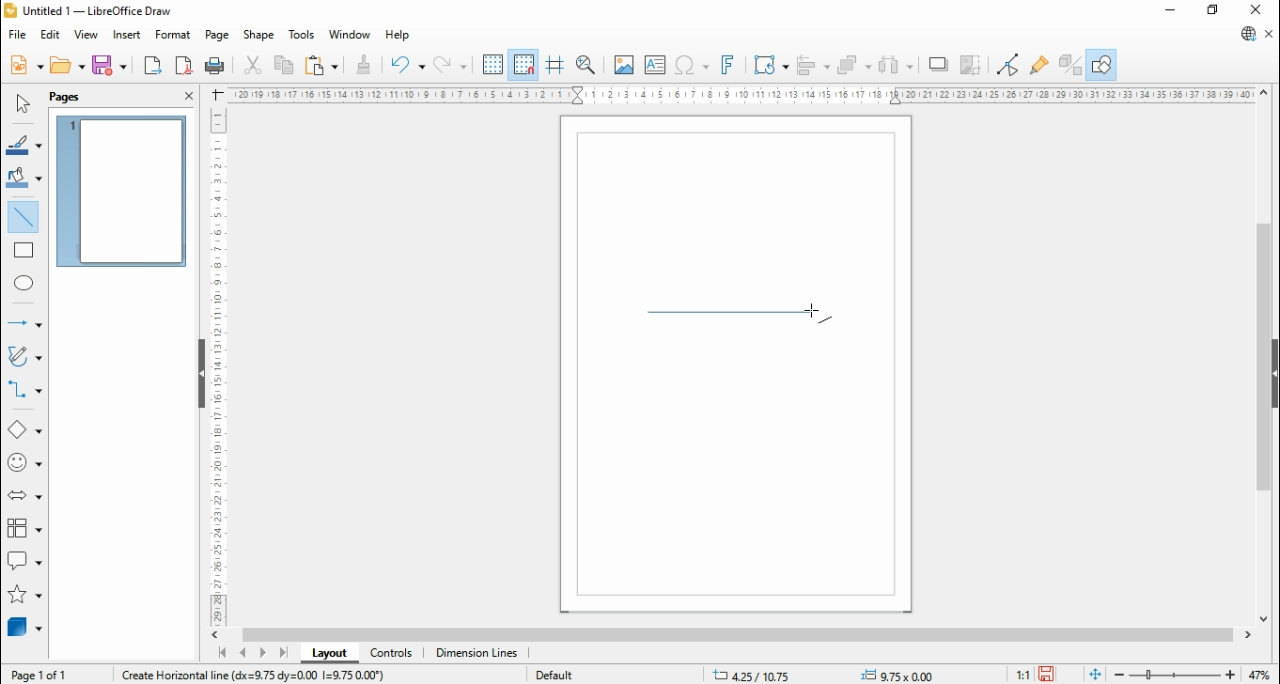 The image size is (1280, 684). I want to click on clone formatting, so click(362, 64).